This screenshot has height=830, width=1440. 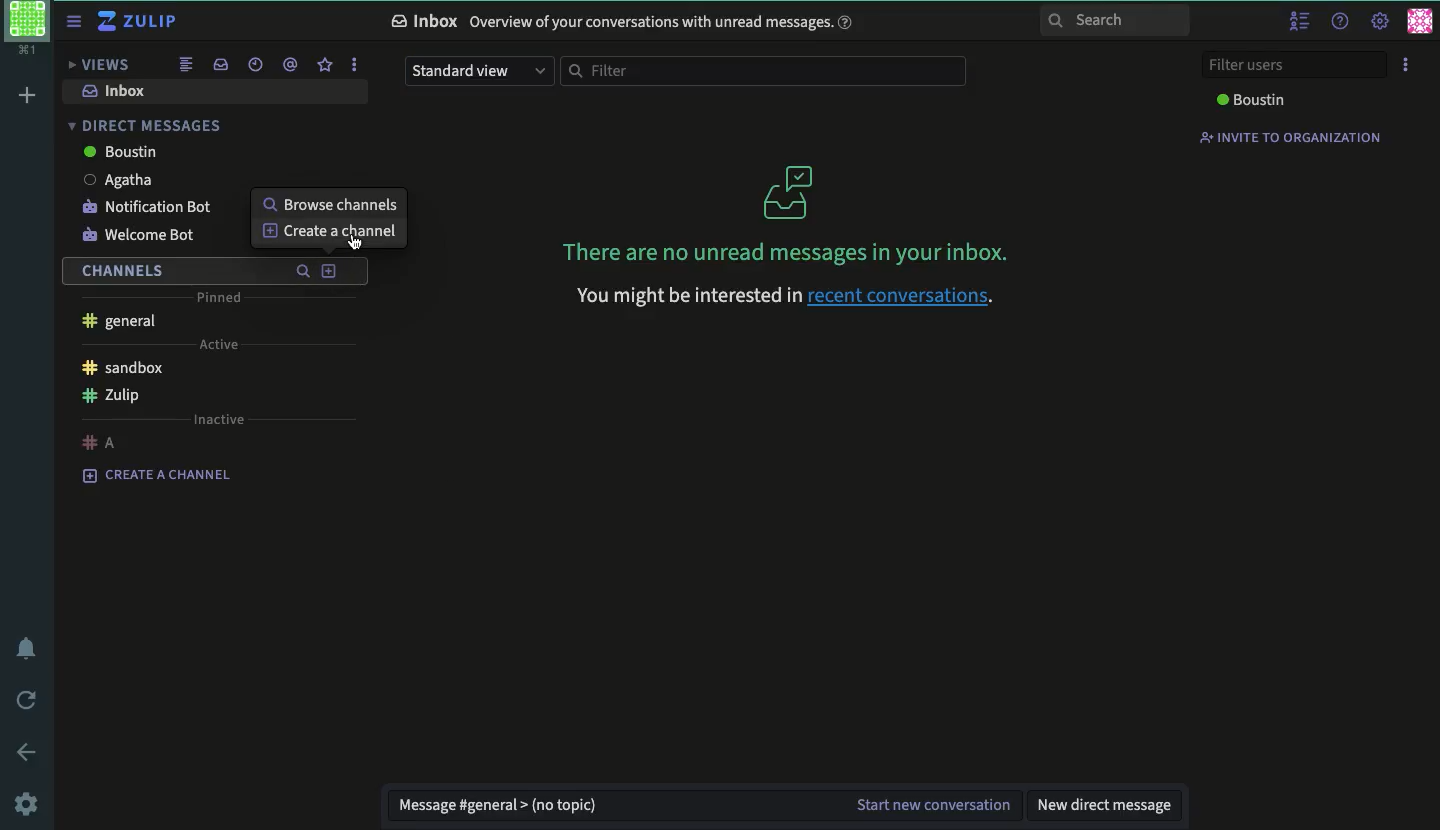 I want to click on welcome bot, so click(x=140, y=238).